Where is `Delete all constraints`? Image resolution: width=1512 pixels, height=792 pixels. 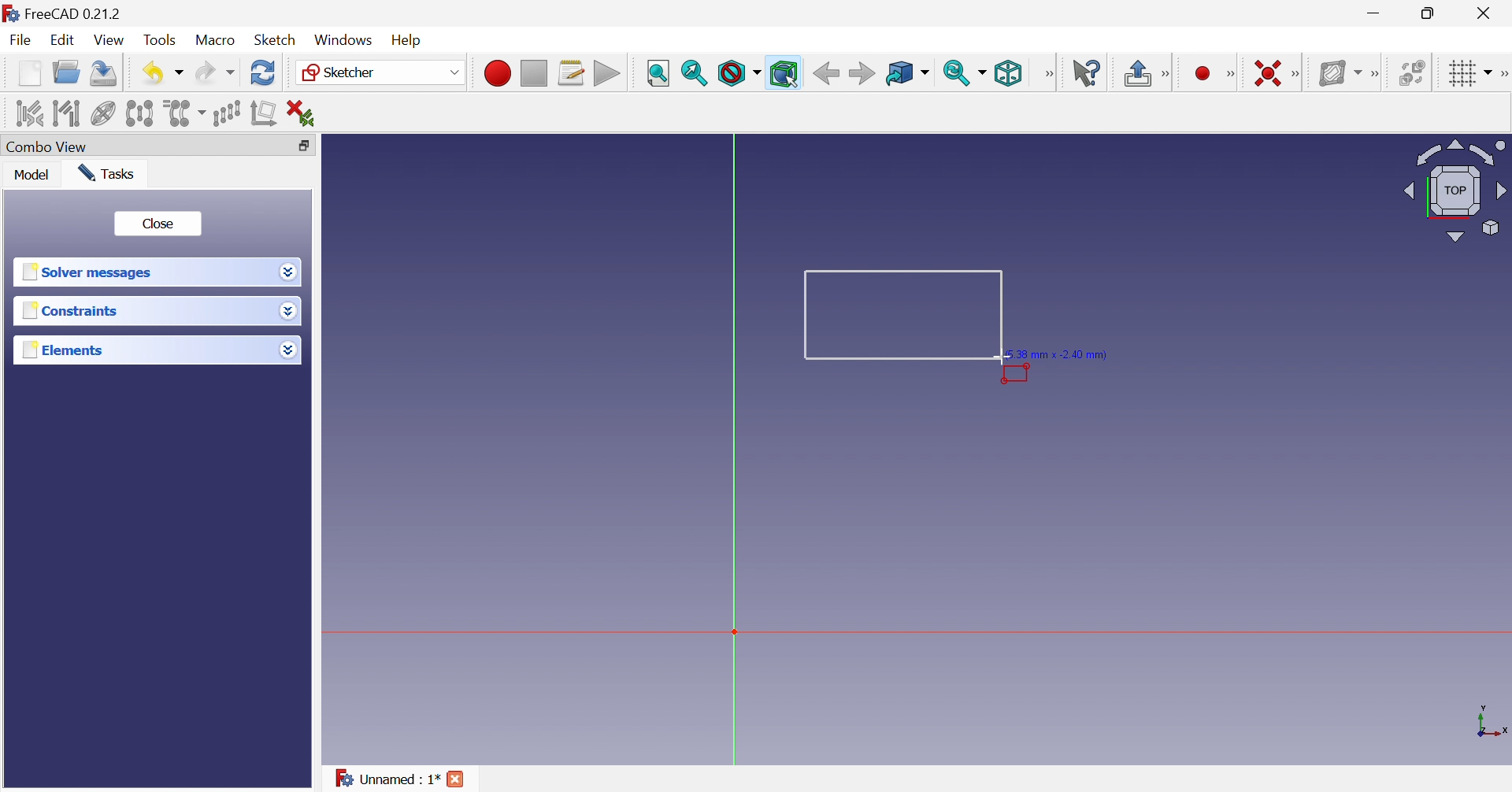 Delete all constraints is located at coordinates (301, 113).